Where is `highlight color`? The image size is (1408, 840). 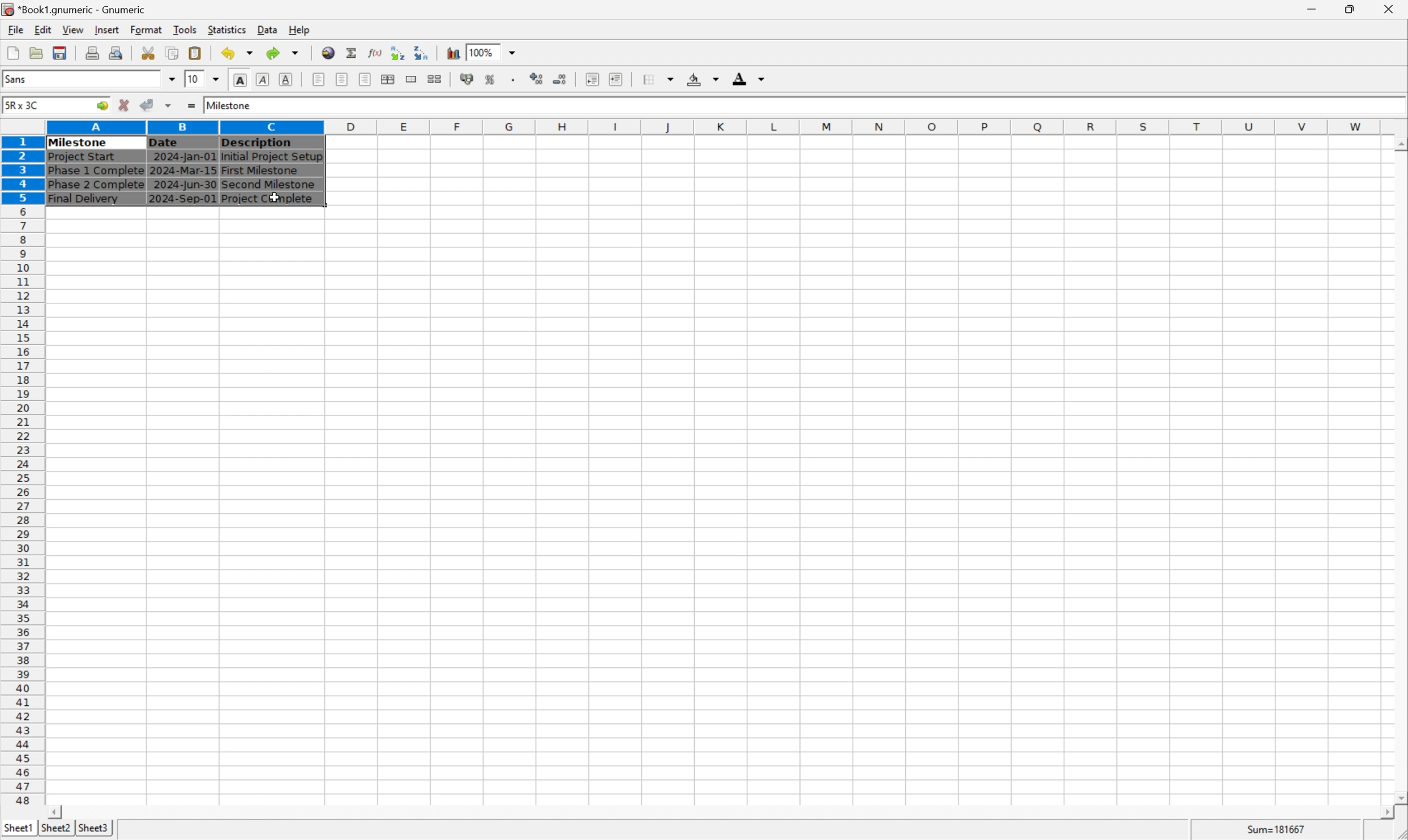 highlight color is located at coordinates (700, 77).